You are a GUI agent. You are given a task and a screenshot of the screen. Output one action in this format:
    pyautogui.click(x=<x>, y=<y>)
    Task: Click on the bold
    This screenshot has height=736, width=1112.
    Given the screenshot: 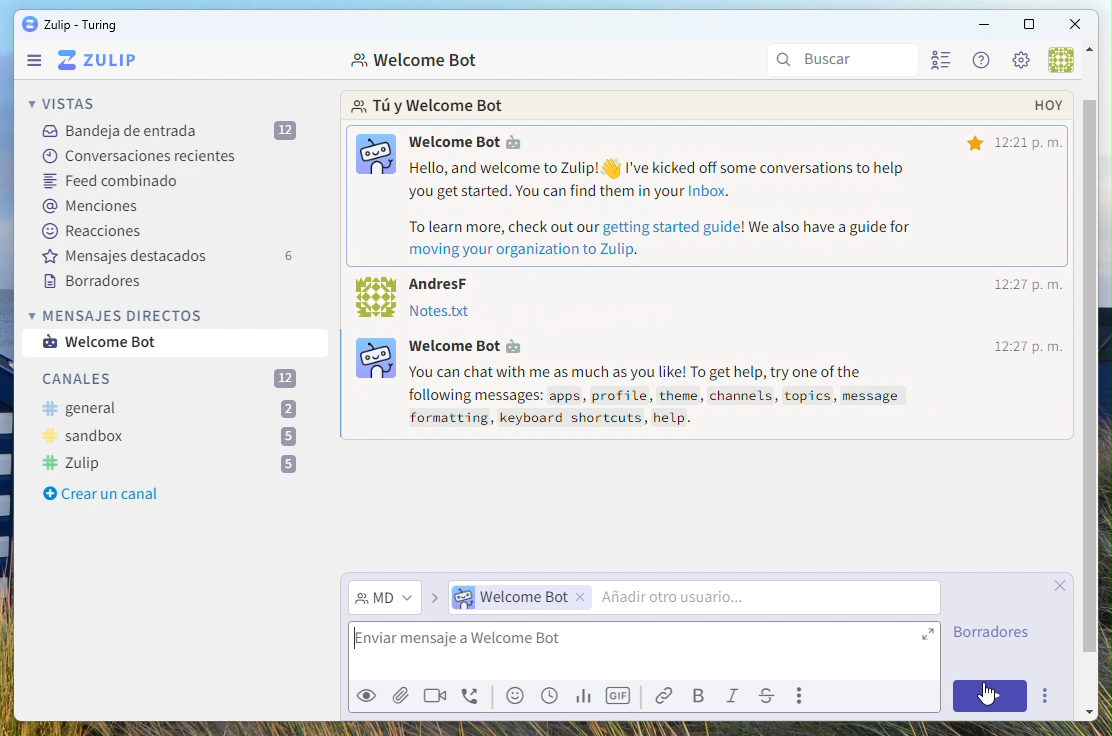 What is the action you would take?
    pyautogui.click(x=701, y=697)
    